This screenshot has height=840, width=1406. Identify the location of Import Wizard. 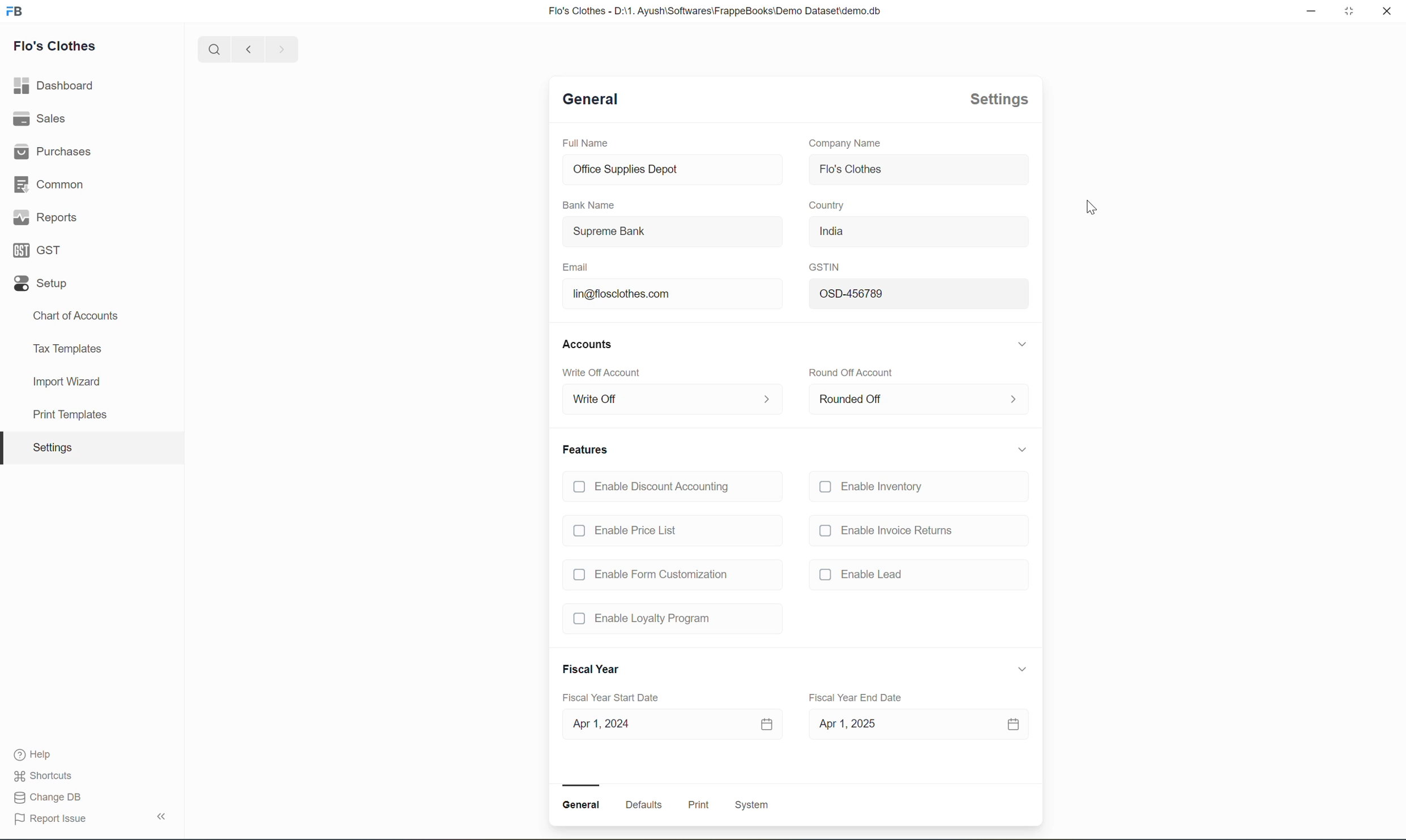
(63, 383).